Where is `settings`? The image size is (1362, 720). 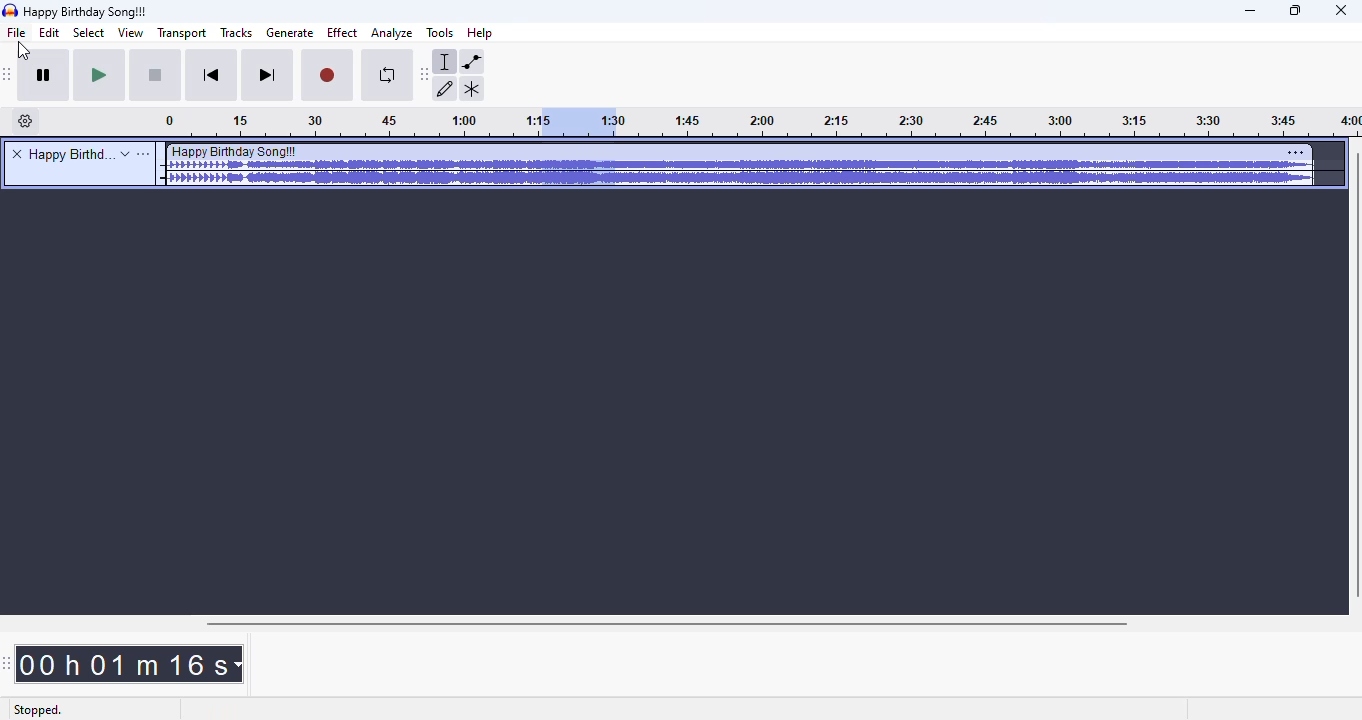 settings is located at coordinates (1296, 152).